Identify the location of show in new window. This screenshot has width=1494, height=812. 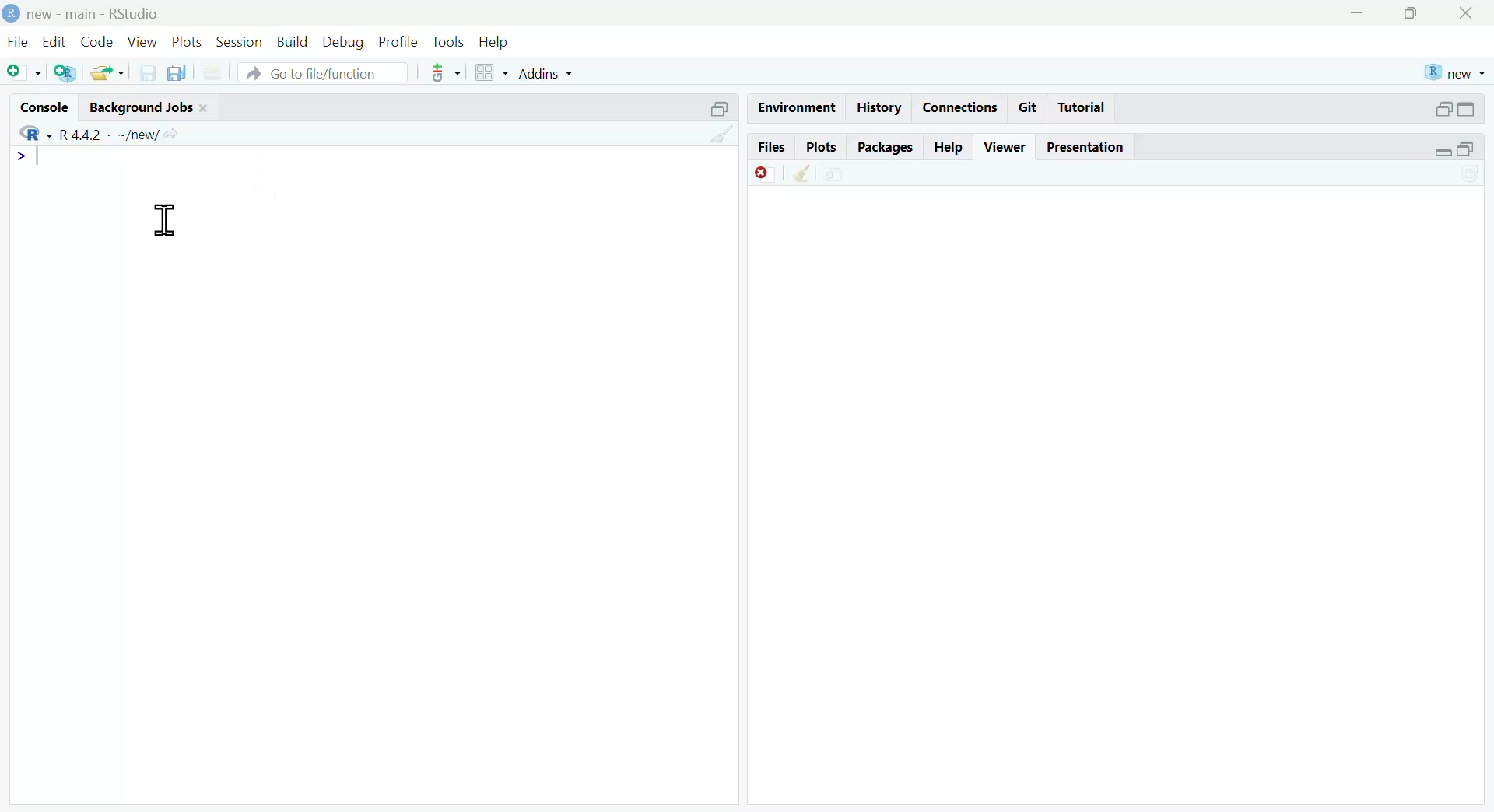
(849, 175).